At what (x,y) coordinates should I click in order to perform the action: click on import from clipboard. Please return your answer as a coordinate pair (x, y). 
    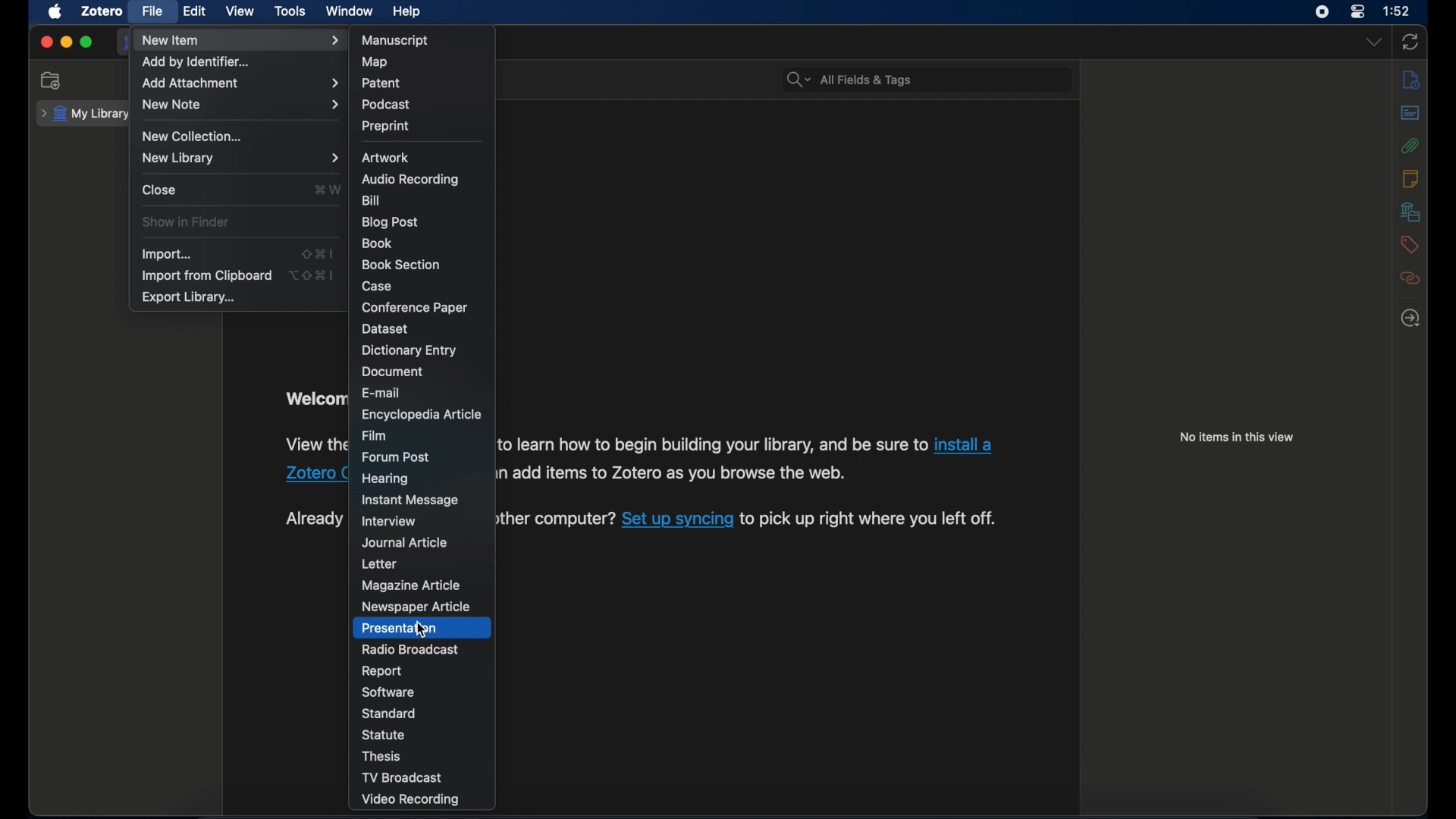
    Looking at the image, I should click on (208, 276).